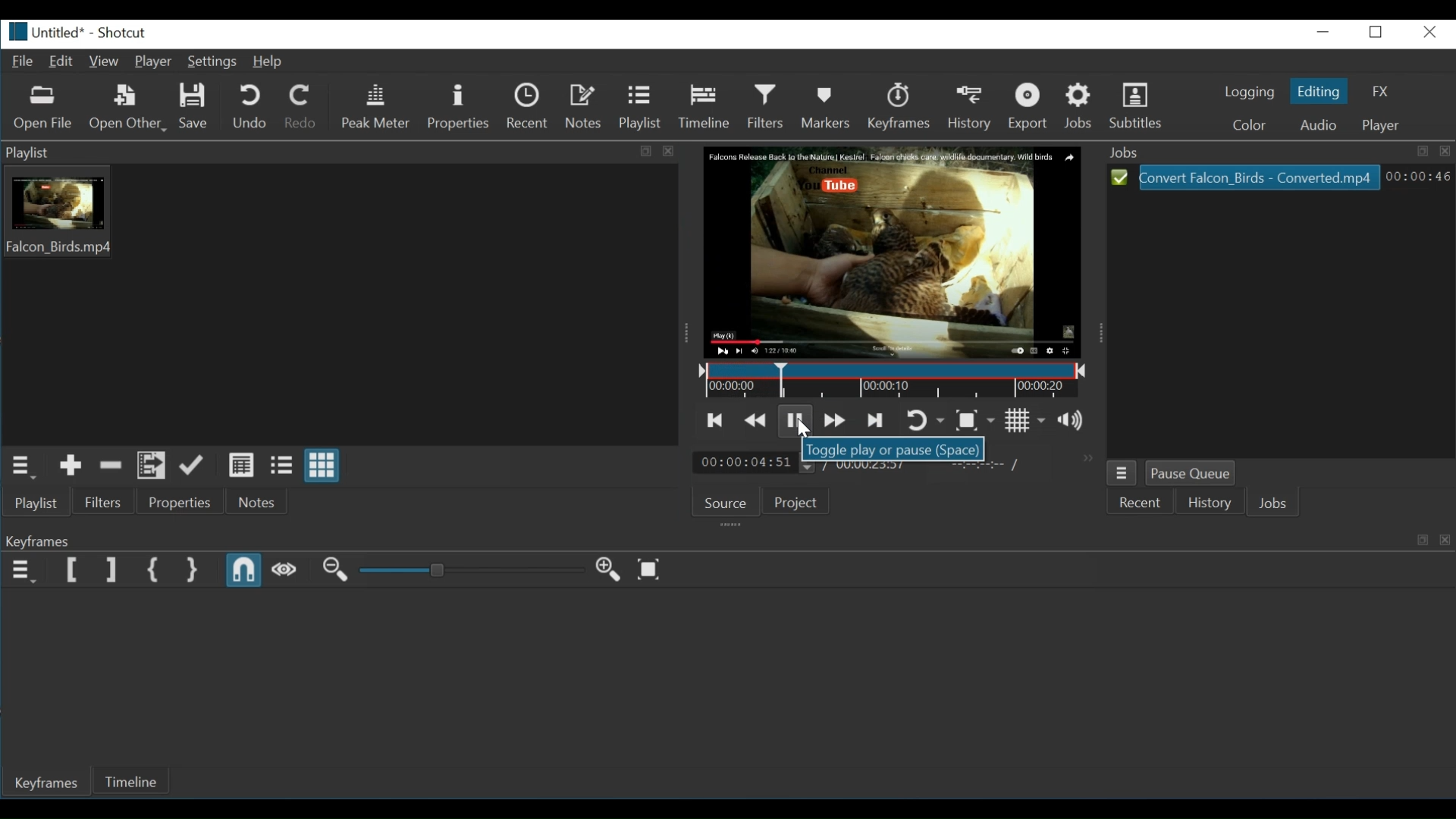 This screenshot has width=1456, height=819. Describe the element at coordinates (1025, 420) in the screenshot. I see `Toggle grid display on the player` at that location.